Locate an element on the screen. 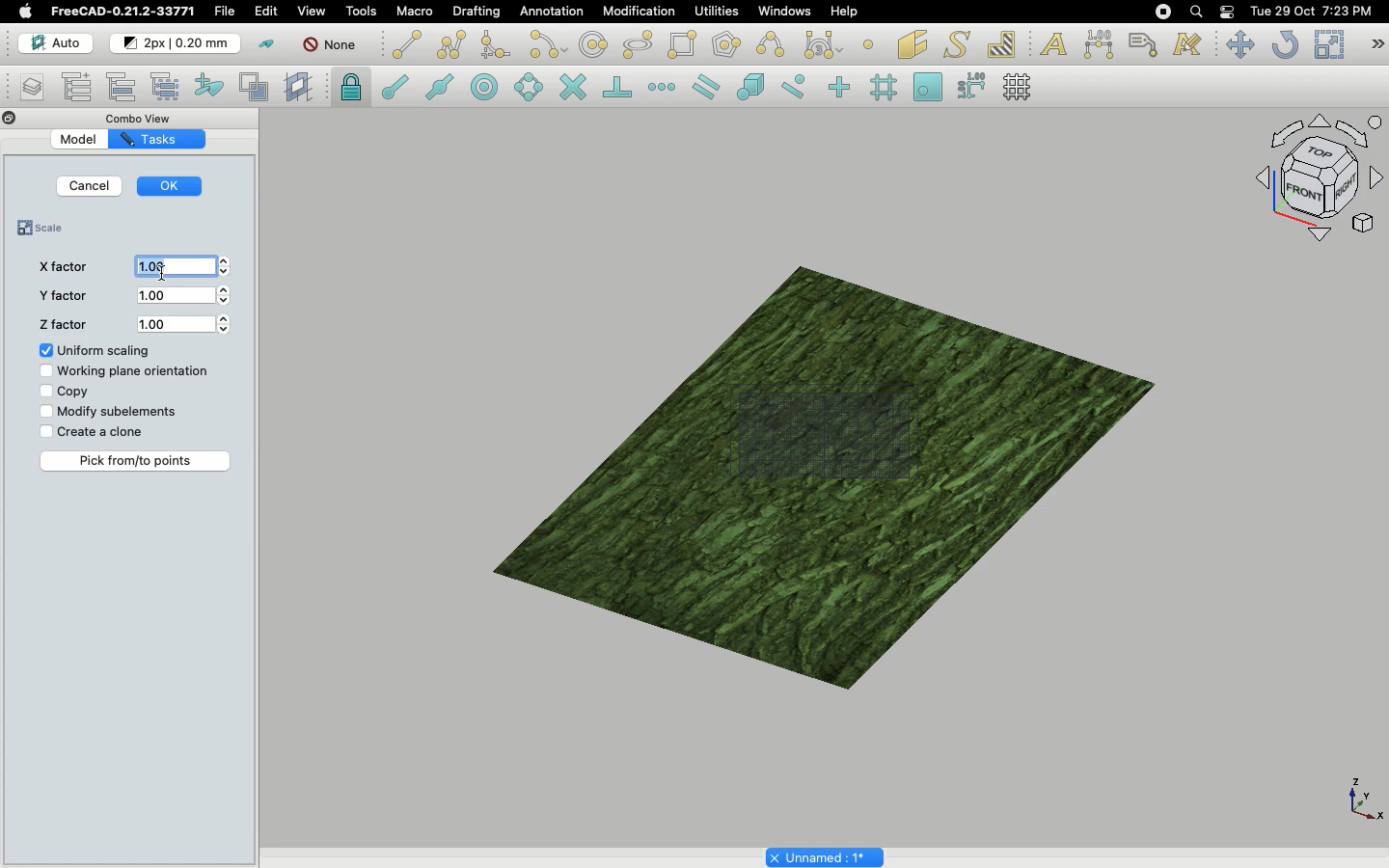 This screenshot has height=868, width=1389. Recording is located at coordinates (1162, 11).